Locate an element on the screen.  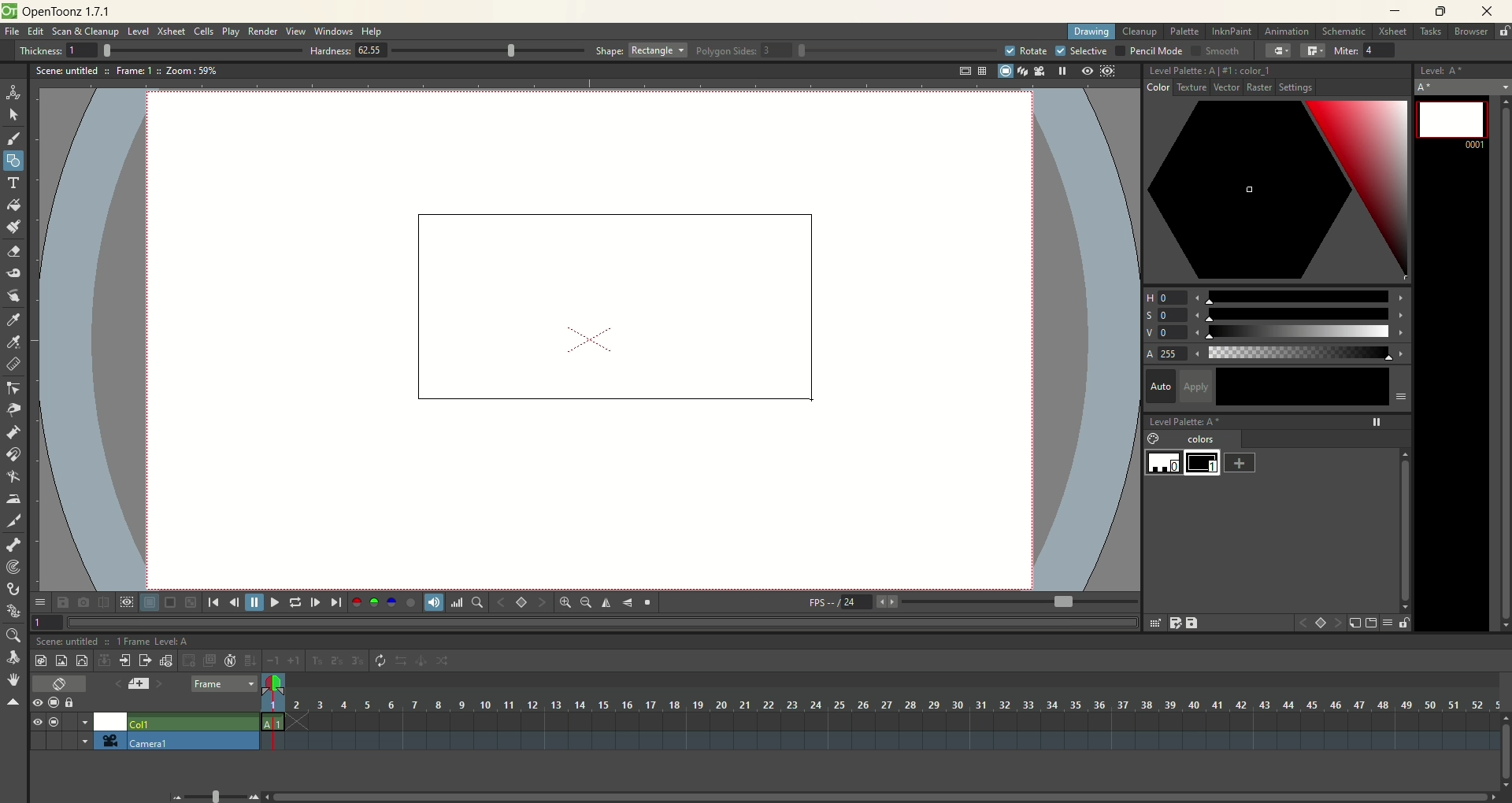
control point editor is located at coordinates (14, 390).